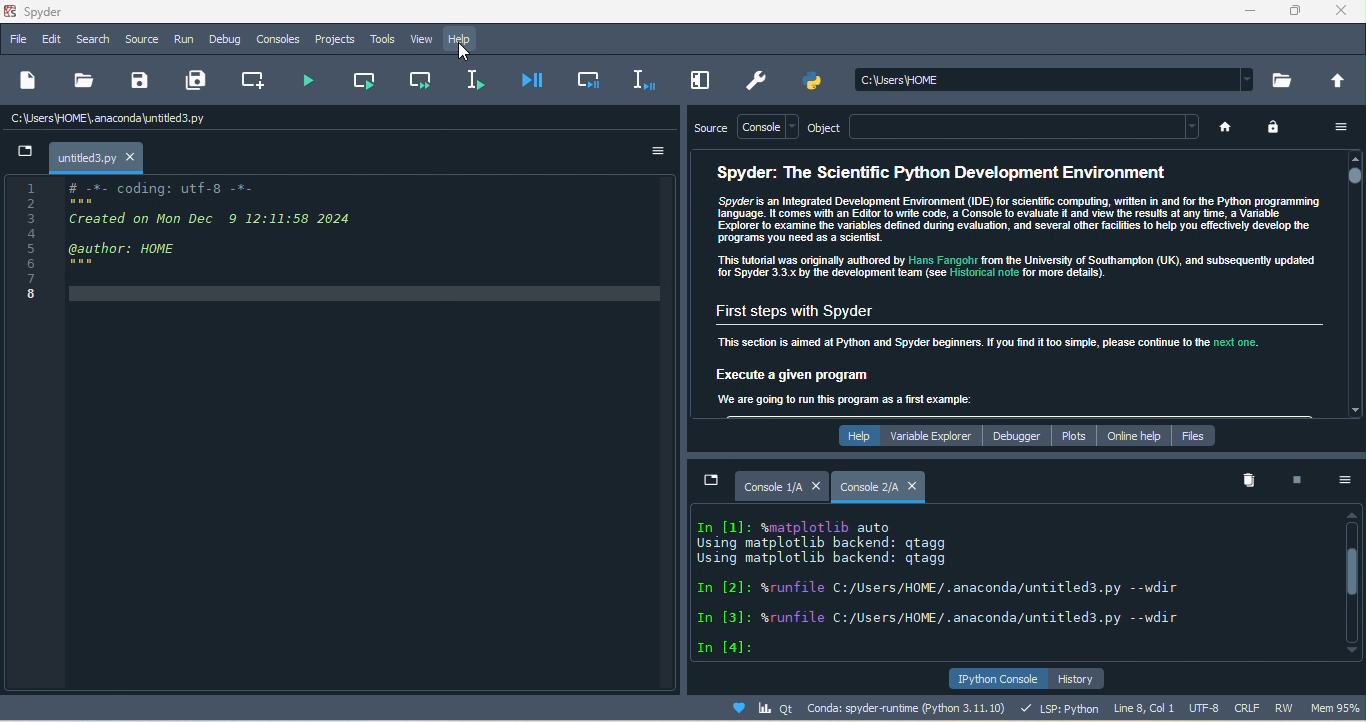  Describe the element at coordinates (1352, 286) in the screenshot. I see `vertical scroll bar` at that location.